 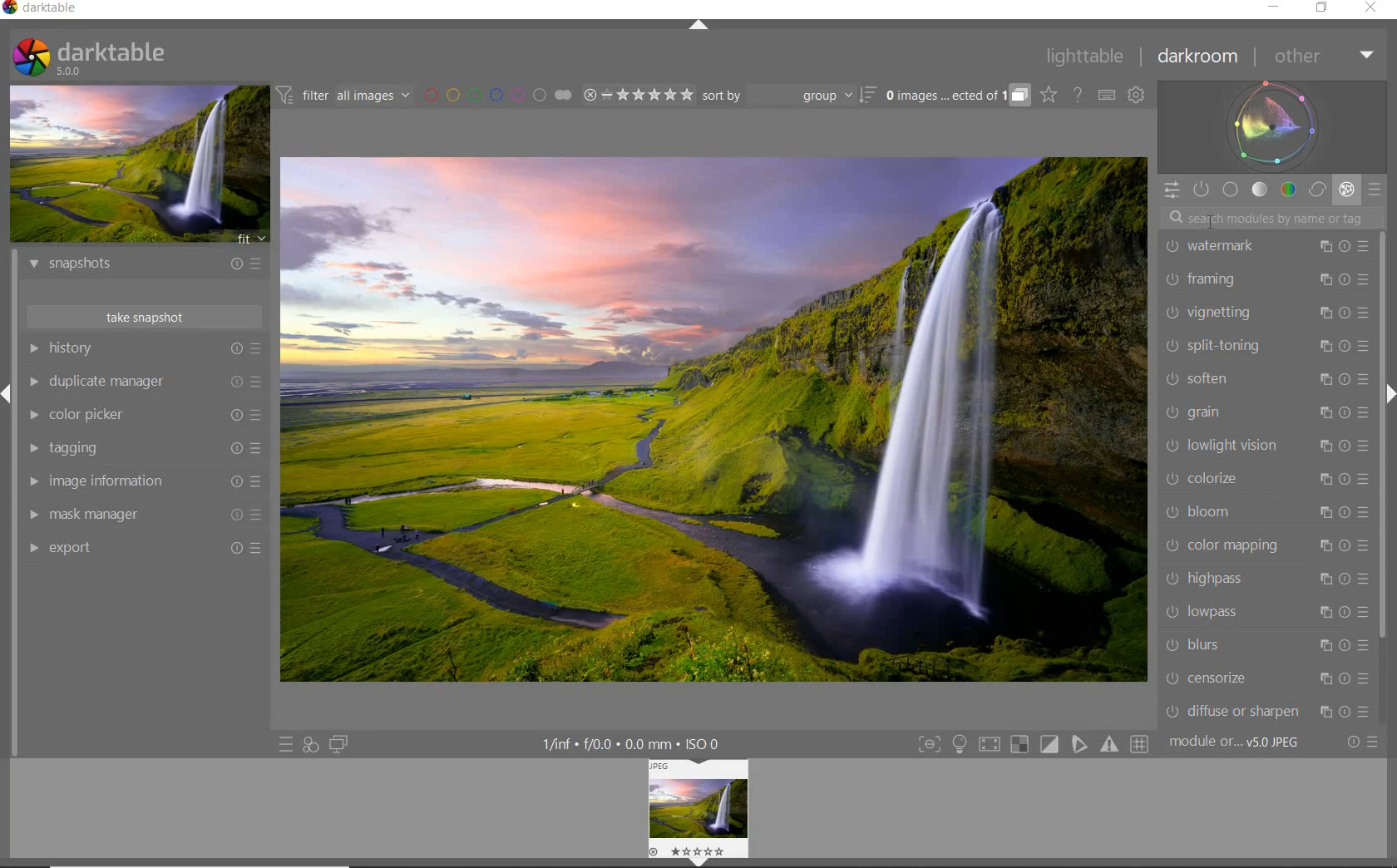 What do you see at coordinates (1266, 248) in the screenshot?
I see `watermark` at bounding box center [1266, 248].